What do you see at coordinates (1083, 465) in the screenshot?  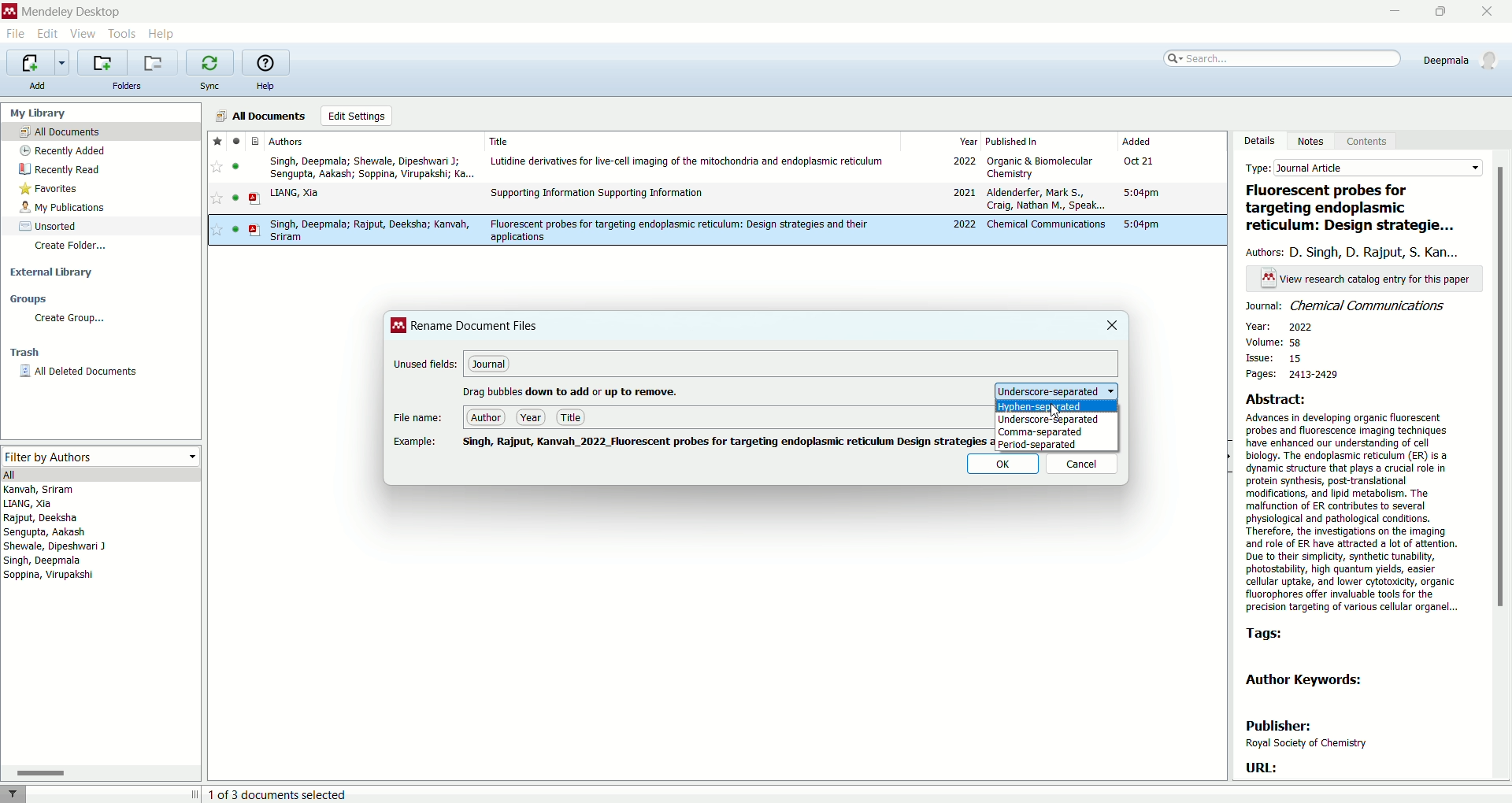 I see `cancel` at bounding box center [1083, 465].